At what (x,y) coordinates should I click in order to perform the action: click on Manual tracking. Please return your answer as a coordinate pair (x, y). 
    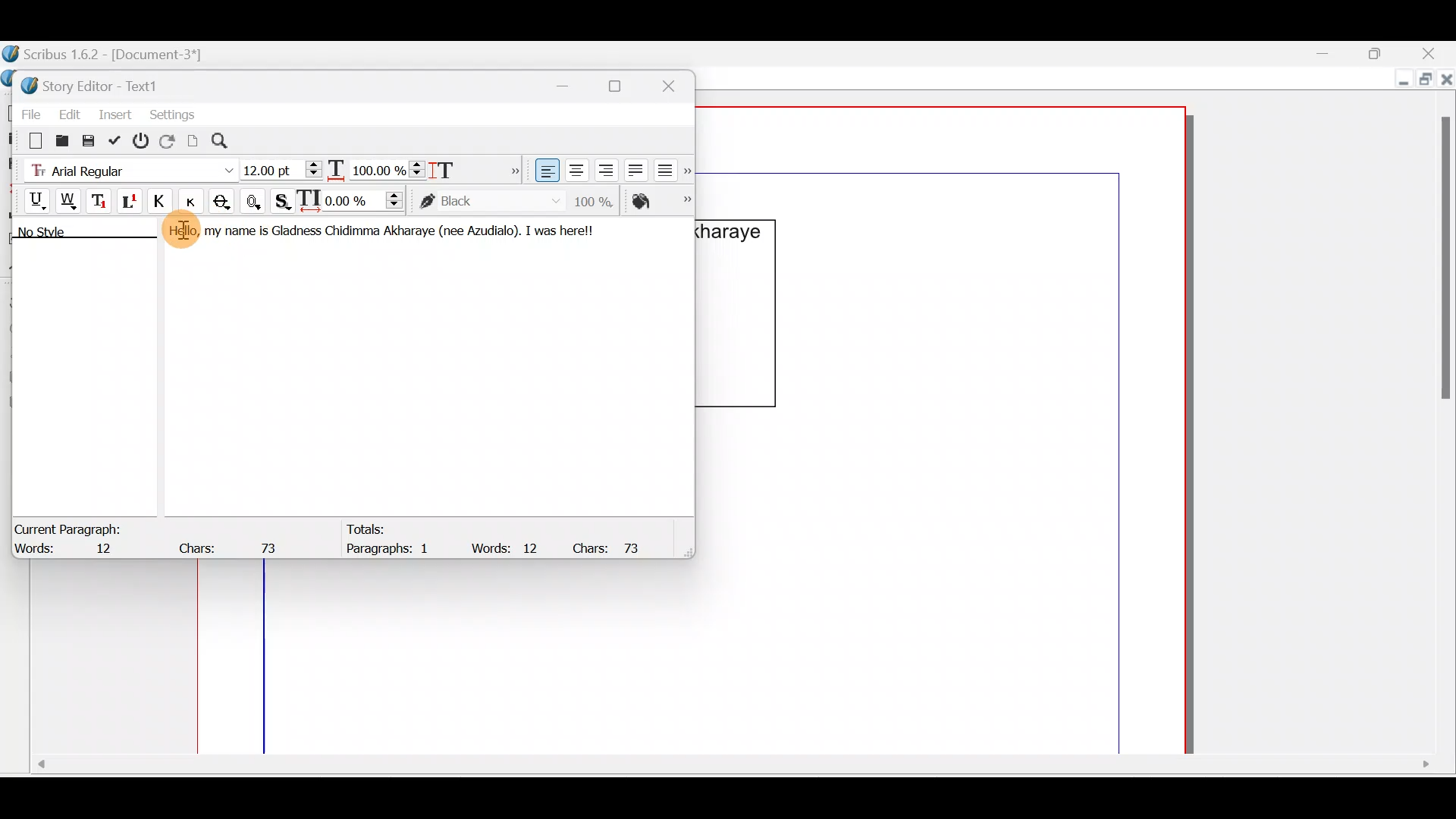
    Looking at the image, I should click on (354, 199).